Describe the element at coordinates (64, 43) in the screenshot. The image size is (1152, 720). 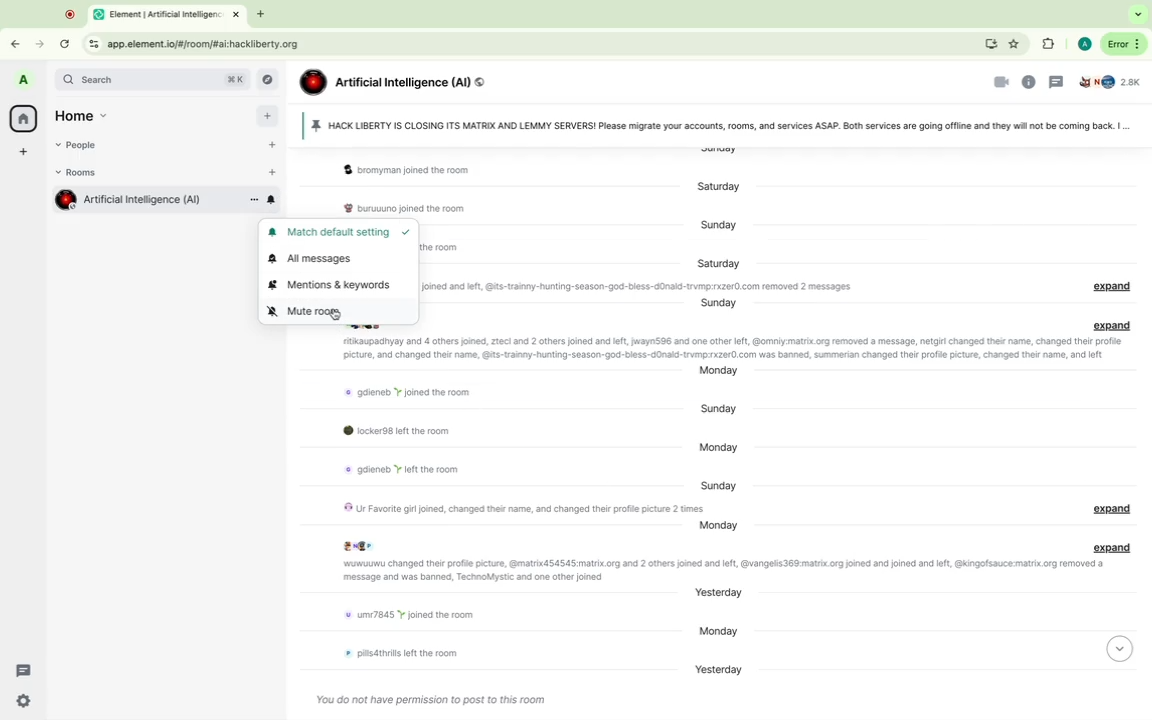
I see `Refresh` at that location.